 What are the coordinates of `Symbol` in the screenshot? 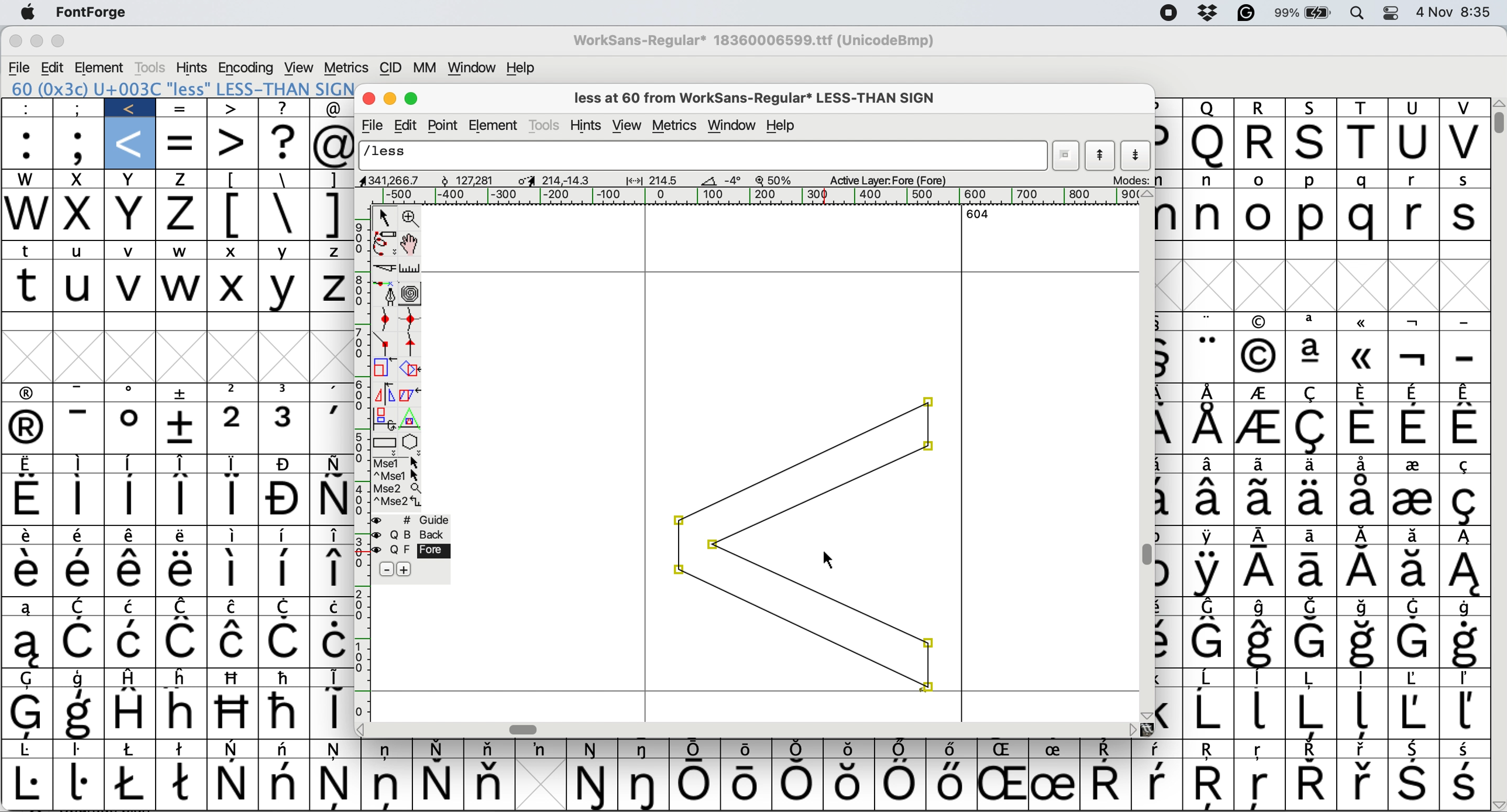 It's located at (1415, 429).